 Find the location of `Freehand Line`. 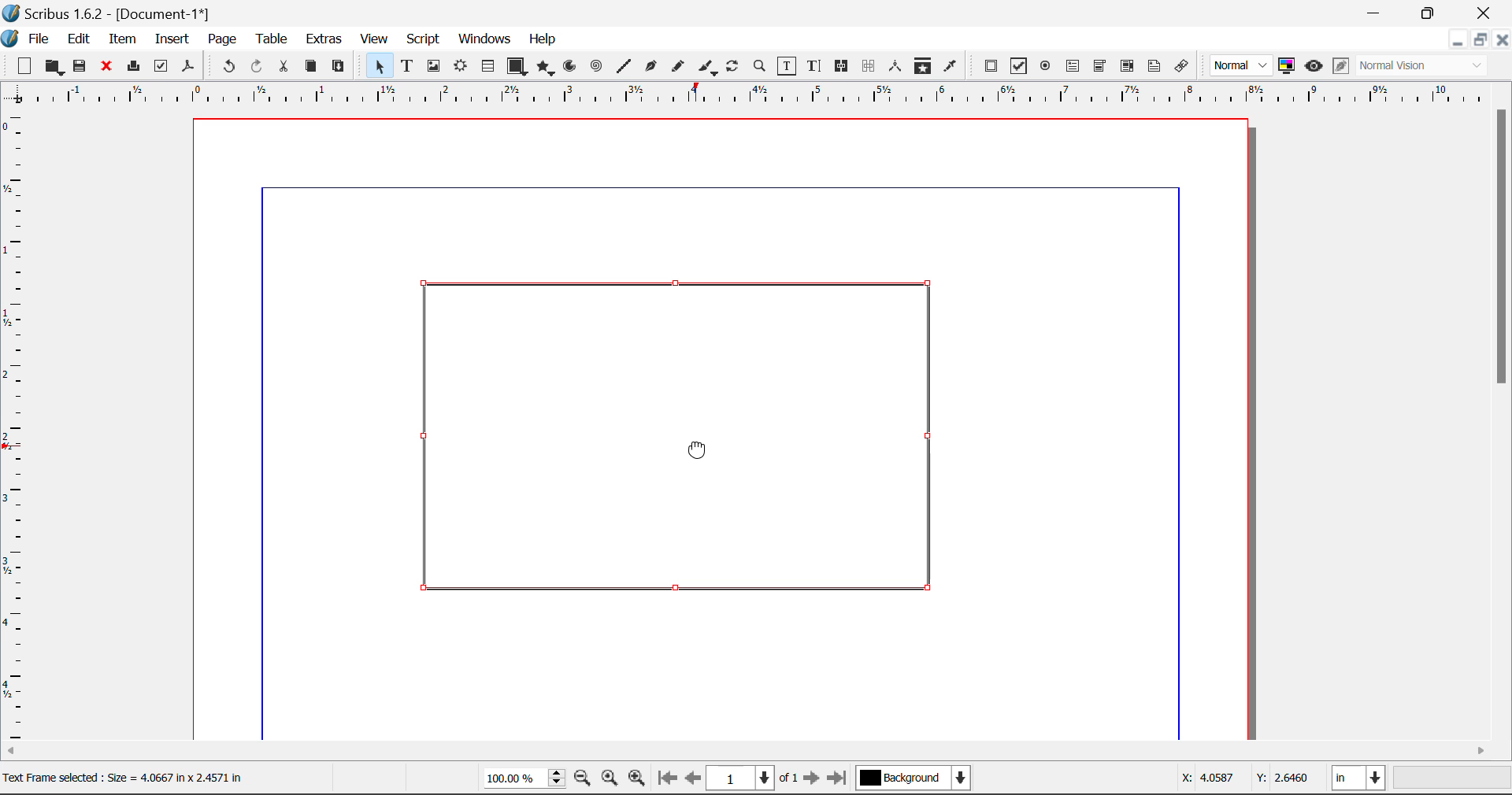

Freehand Line is located at coordinates (676, 67).